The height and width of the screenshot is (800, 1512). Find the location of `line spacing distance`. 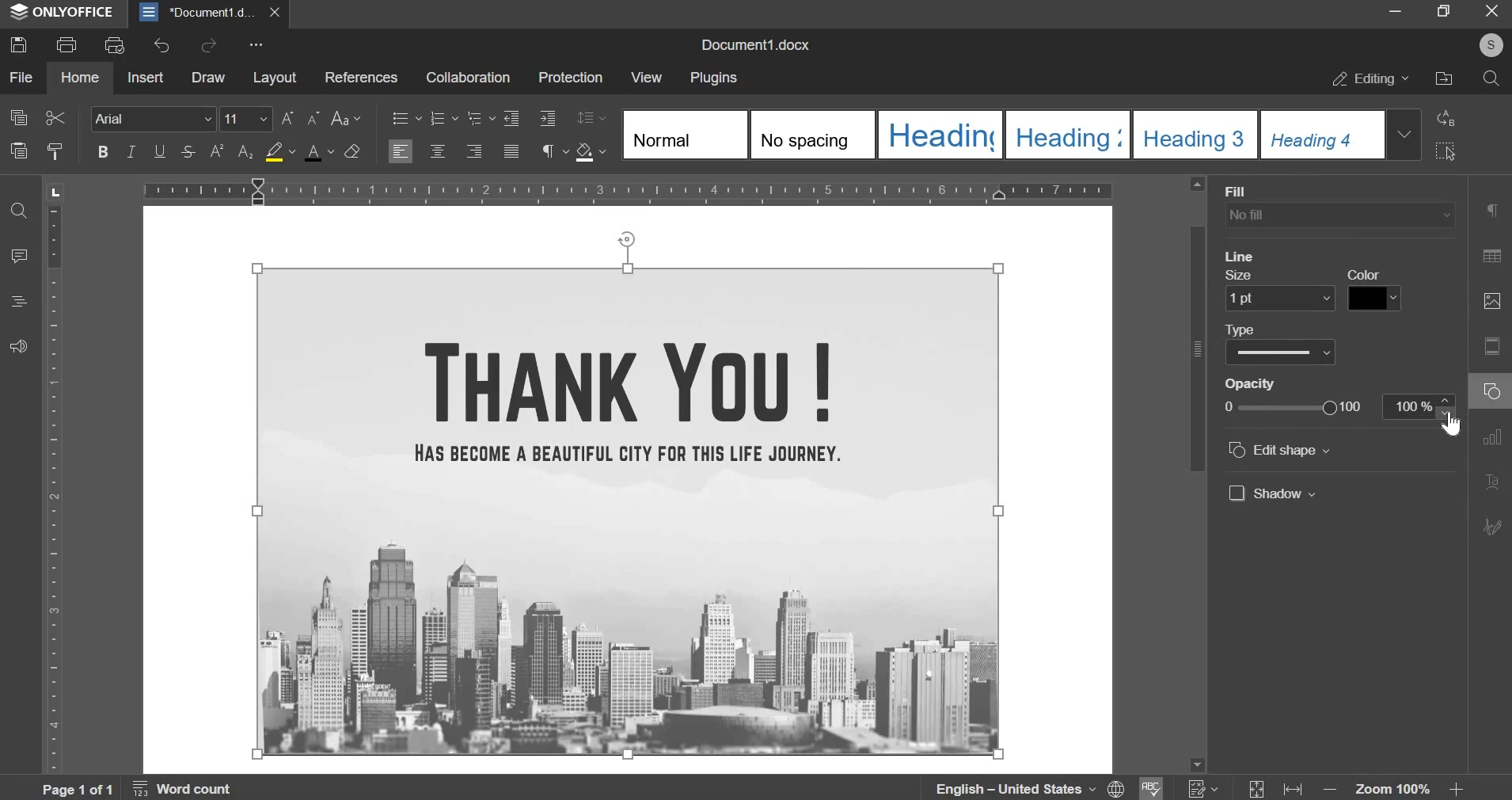

line spacing distance is located at coordinates (1391, 215).